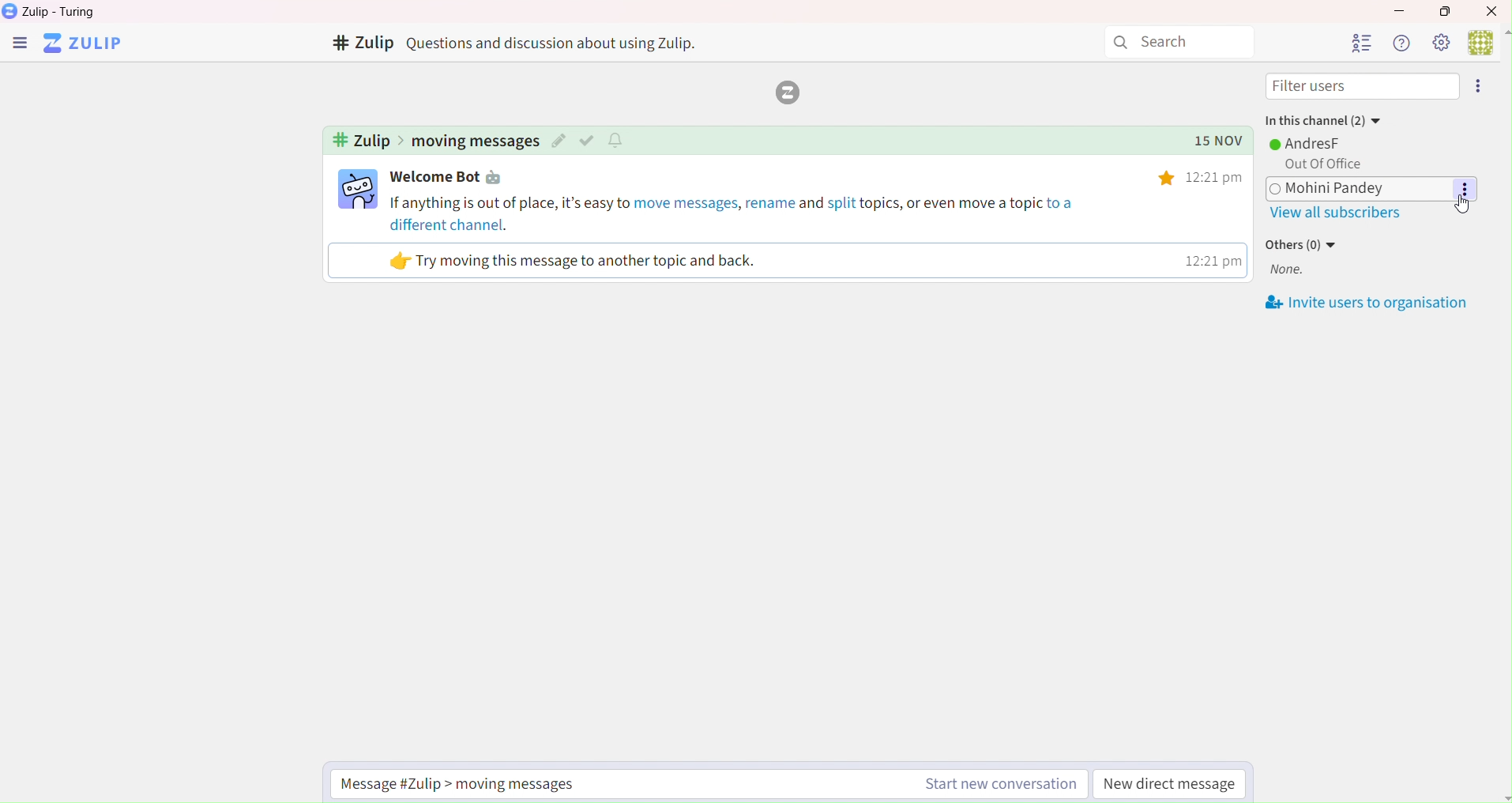 Image resolution: width=1512 pixels, height=803 pixels. What do you see at coordinates (1363, 87) in the screenshot?
I see `Filter Users` at bounding box center [1363, 87].